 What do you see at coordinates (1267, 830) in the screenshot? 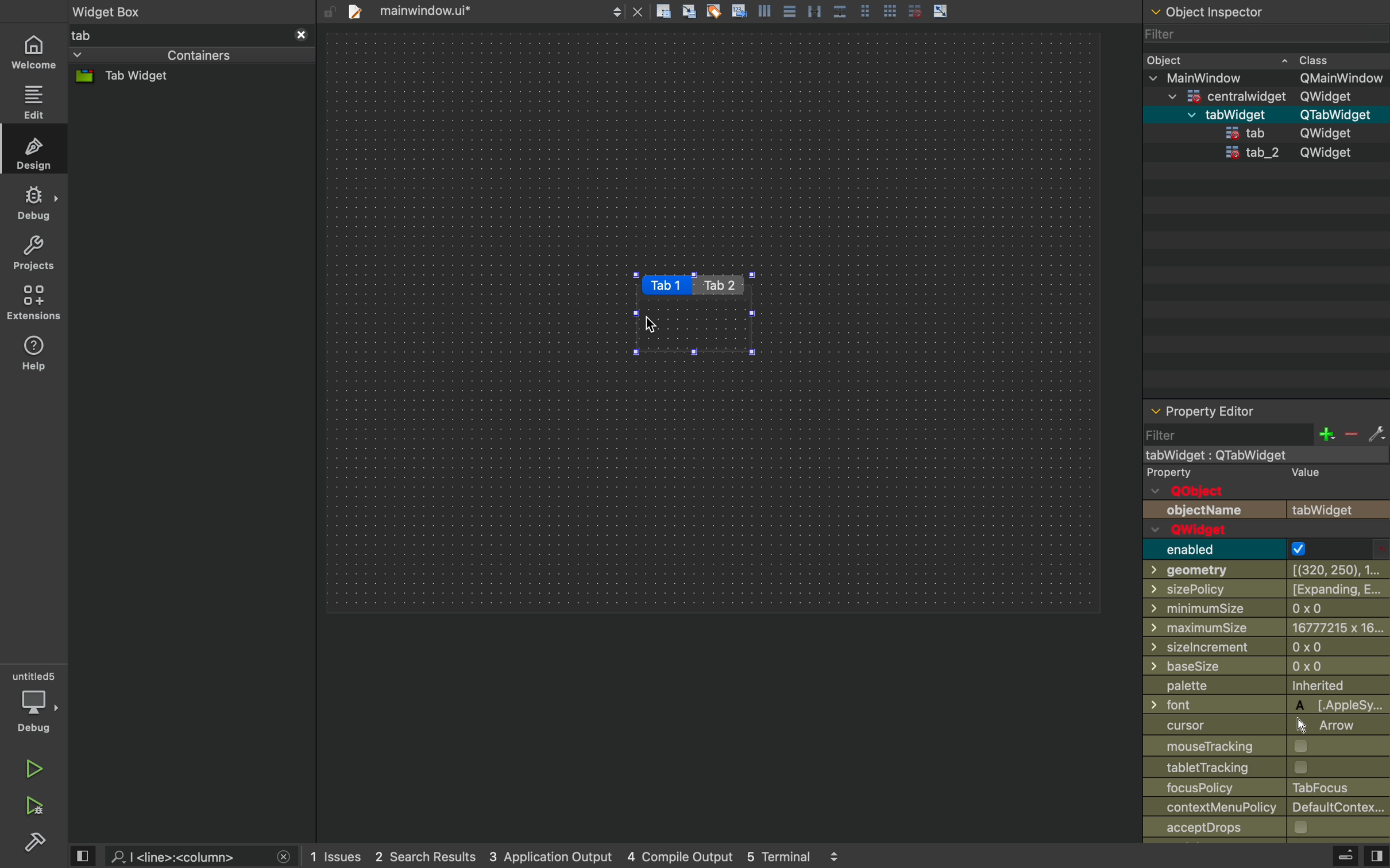
I see `accept drops` at bounding box center [1267, 830].